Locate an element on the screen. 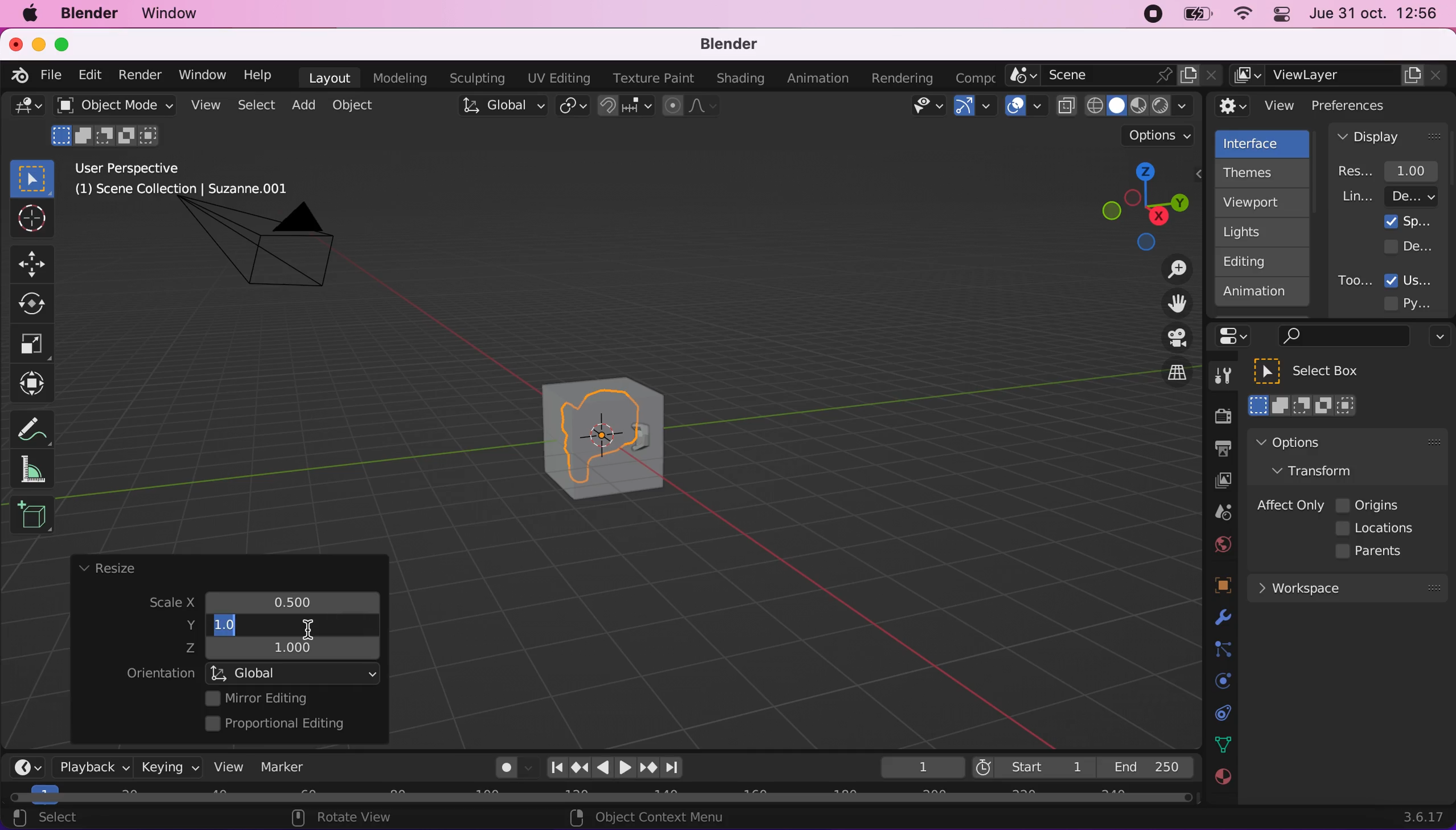 The height and width of the screenshot is (830, 1456). physics is located at coordinates (1220, 619).